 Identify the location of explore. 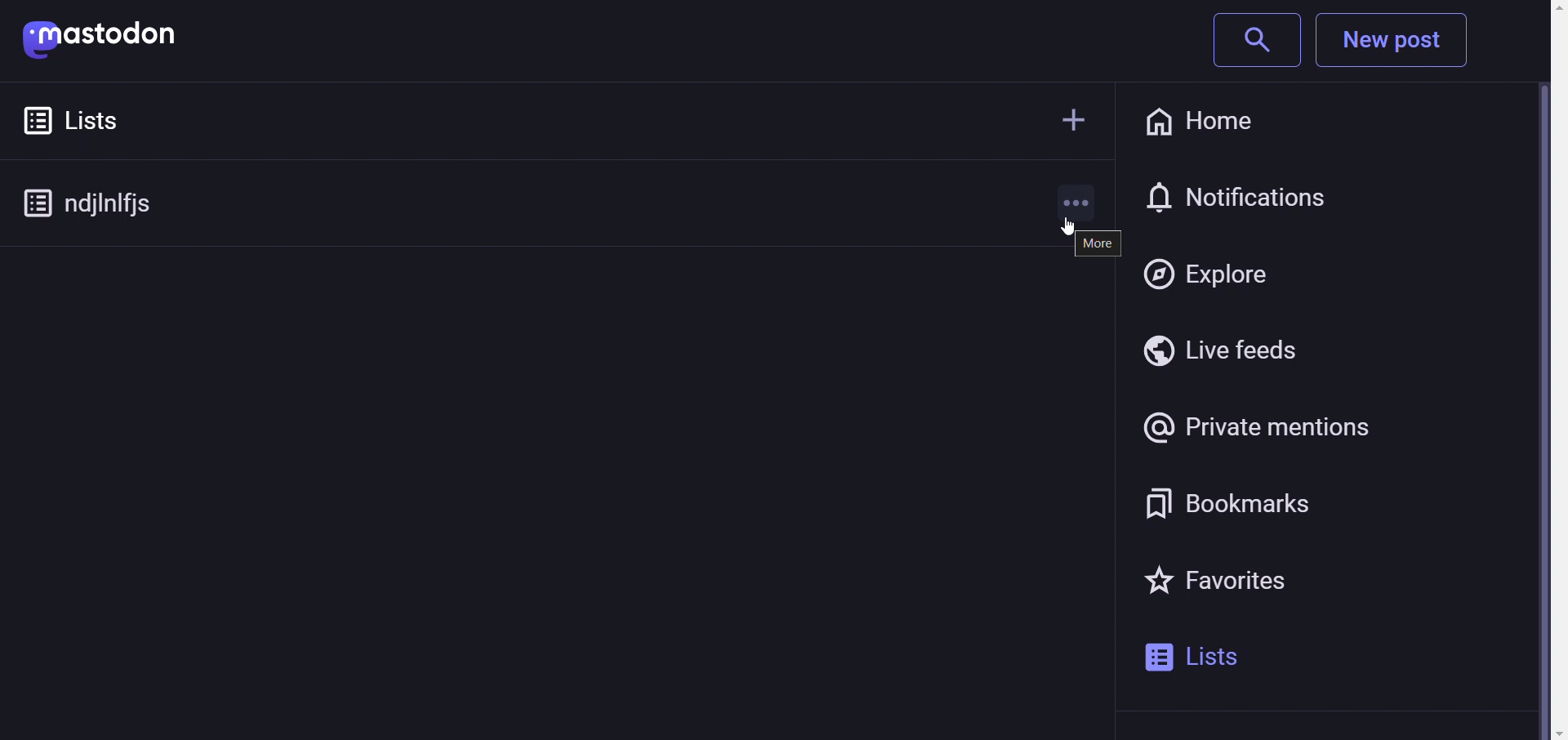
(1209, 274).